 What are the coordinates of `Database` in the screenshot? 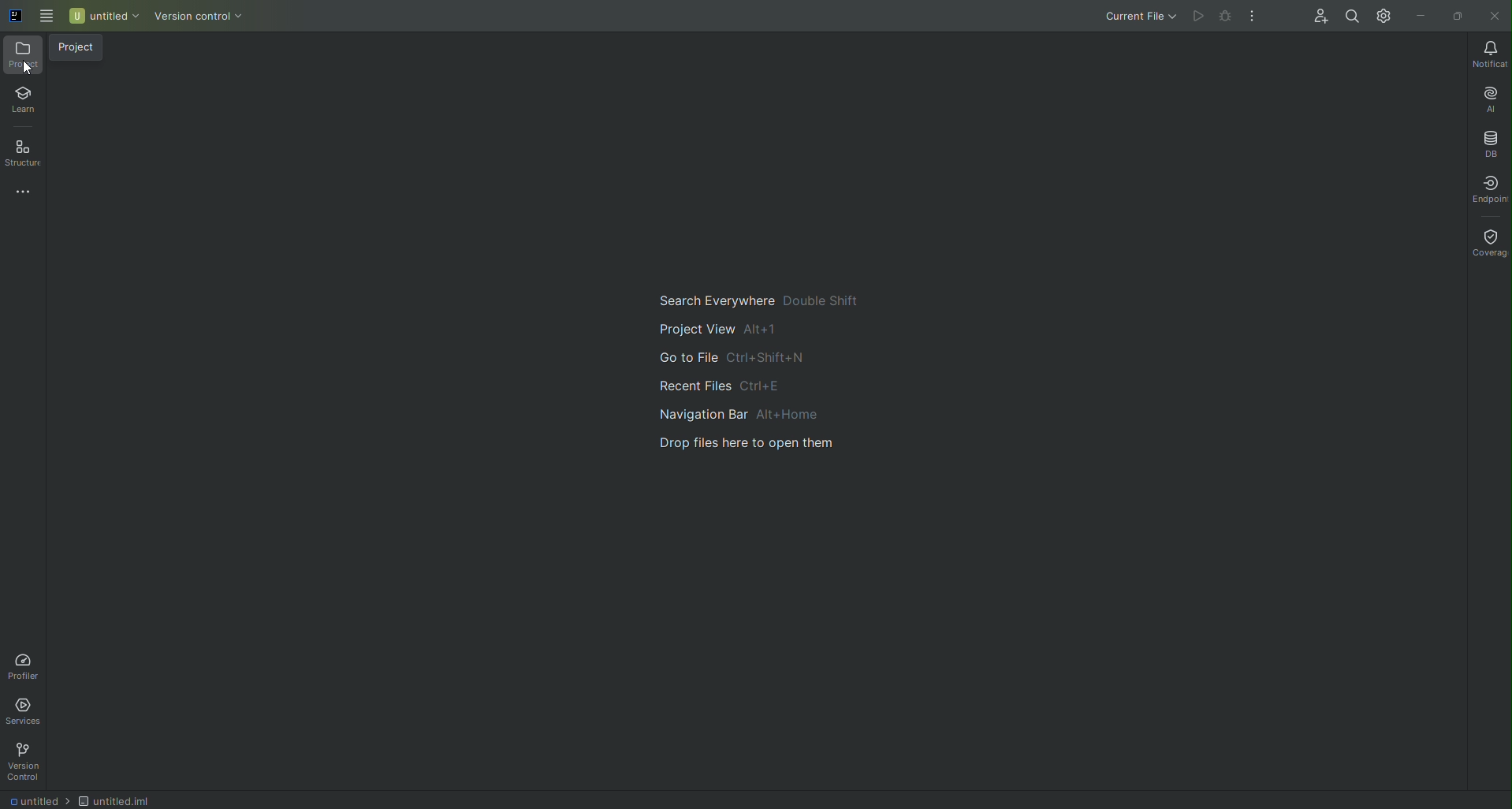 It's located at (1492, 142).